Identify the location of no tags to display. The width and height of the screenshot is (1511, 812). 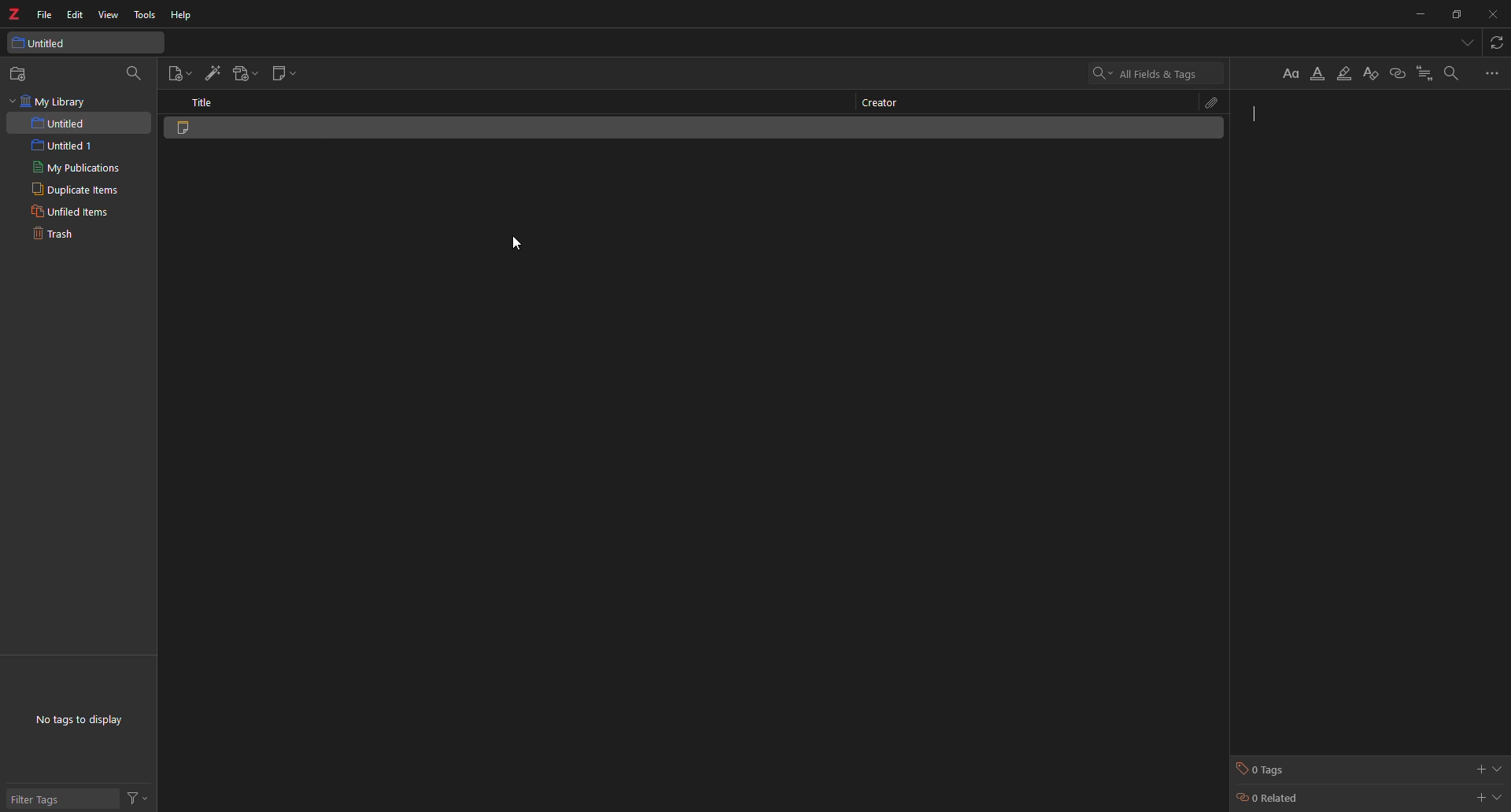
(87, 722).